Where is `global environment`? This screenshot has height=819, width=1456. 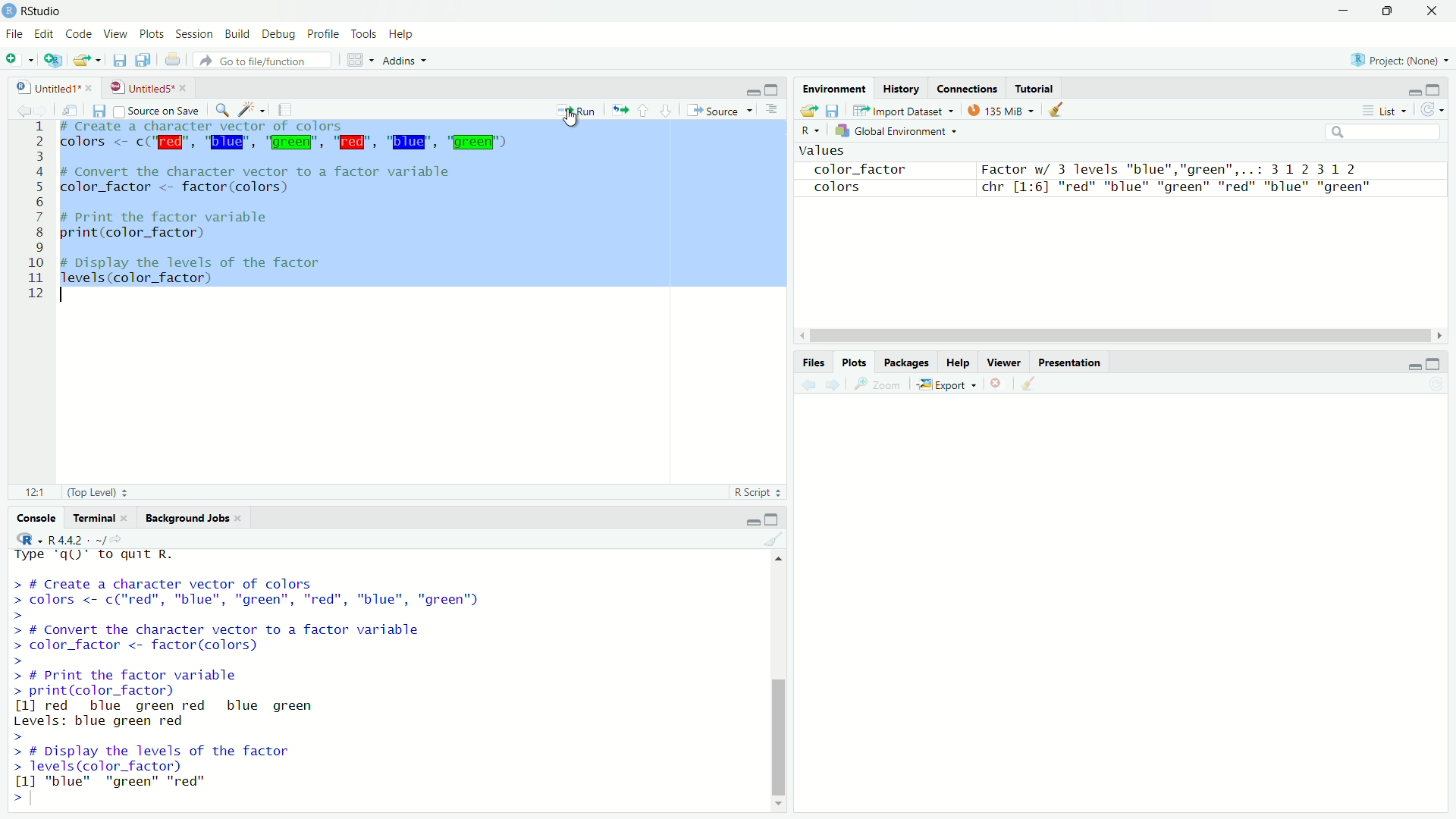 global environment is located at coordinates (901, 132).